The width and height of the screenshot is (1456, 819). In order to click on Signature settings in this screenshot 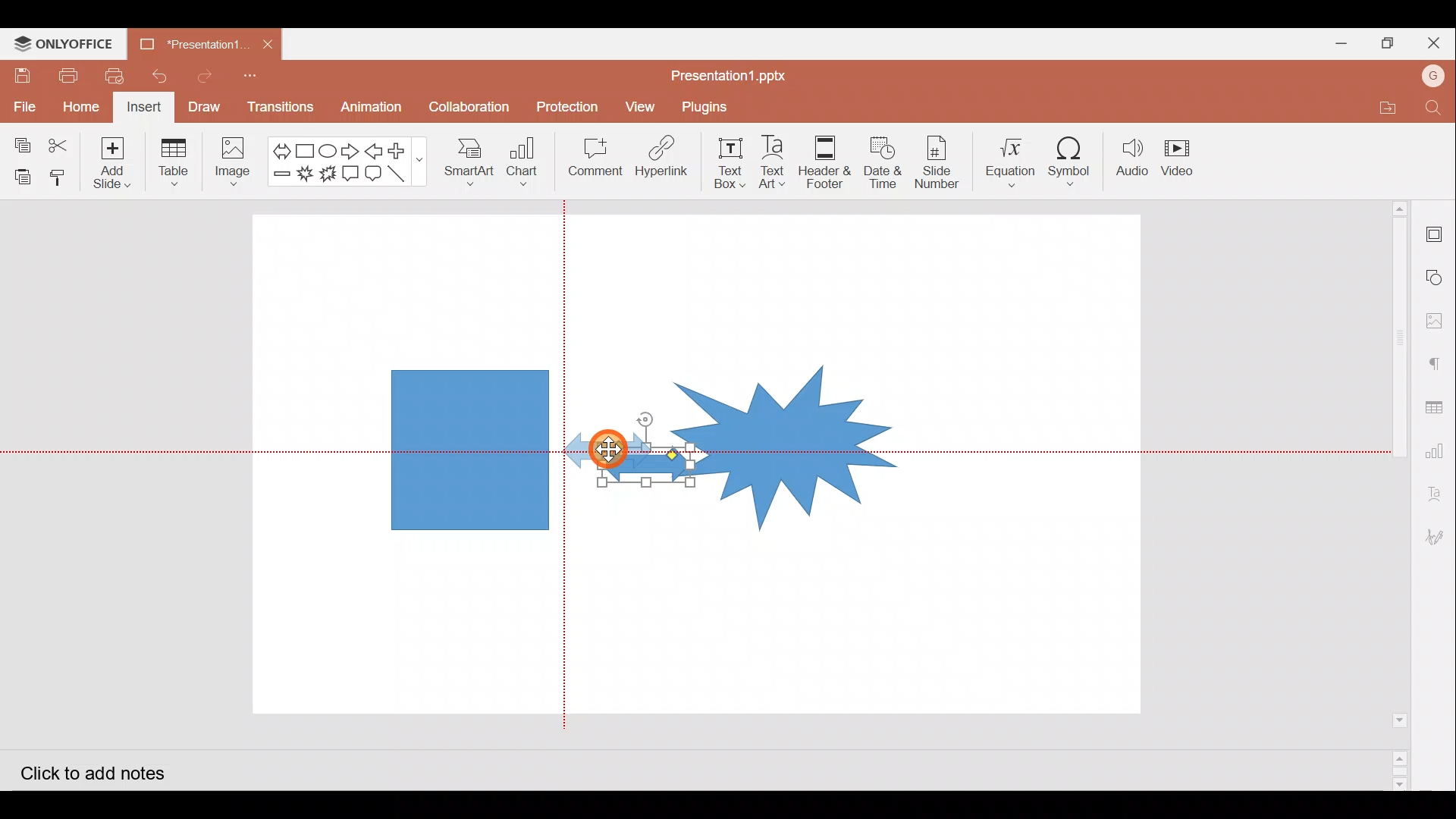, I will do `click(1439, 539)`.